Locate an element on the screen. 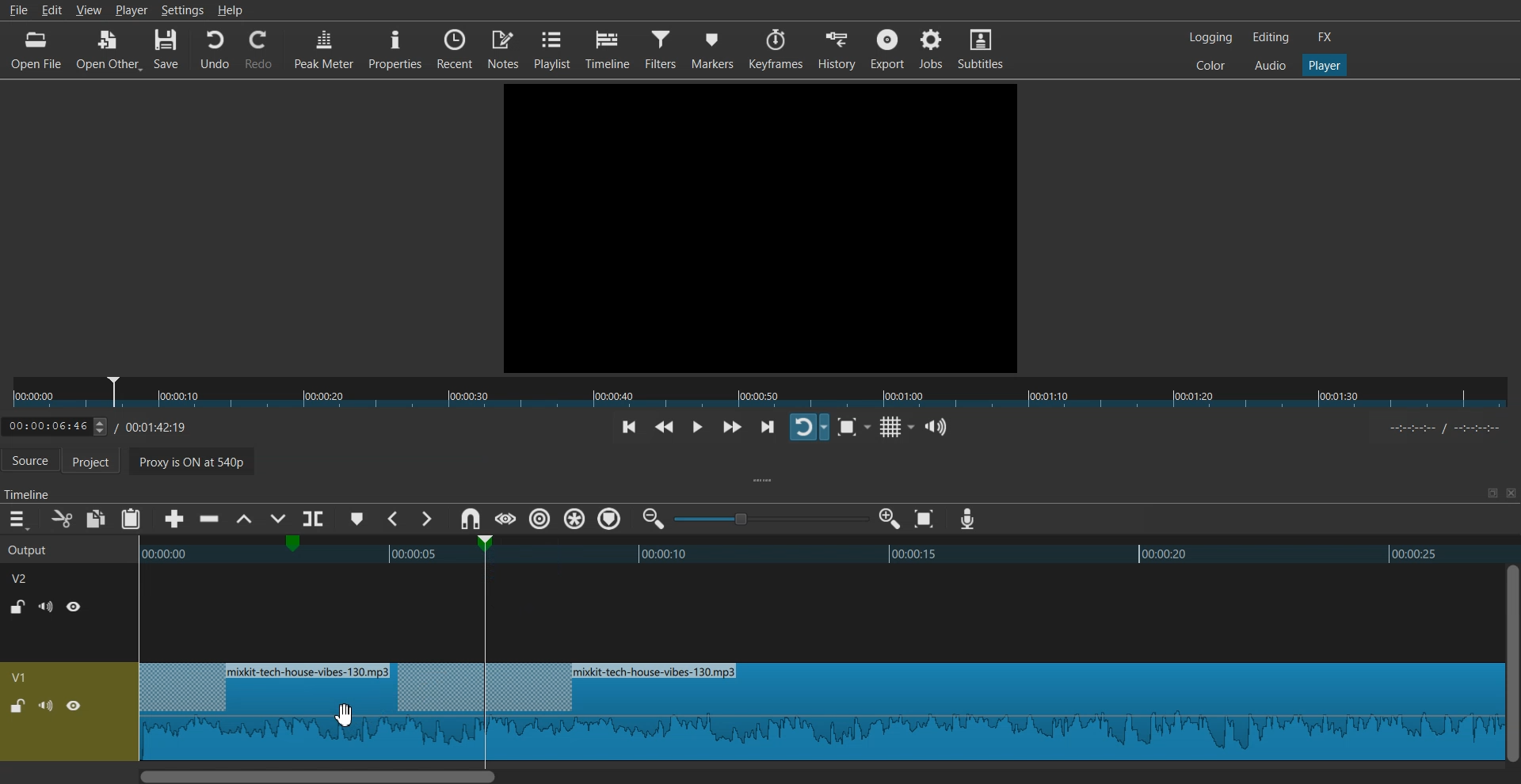  FX is located at coordinates (1325, 37).